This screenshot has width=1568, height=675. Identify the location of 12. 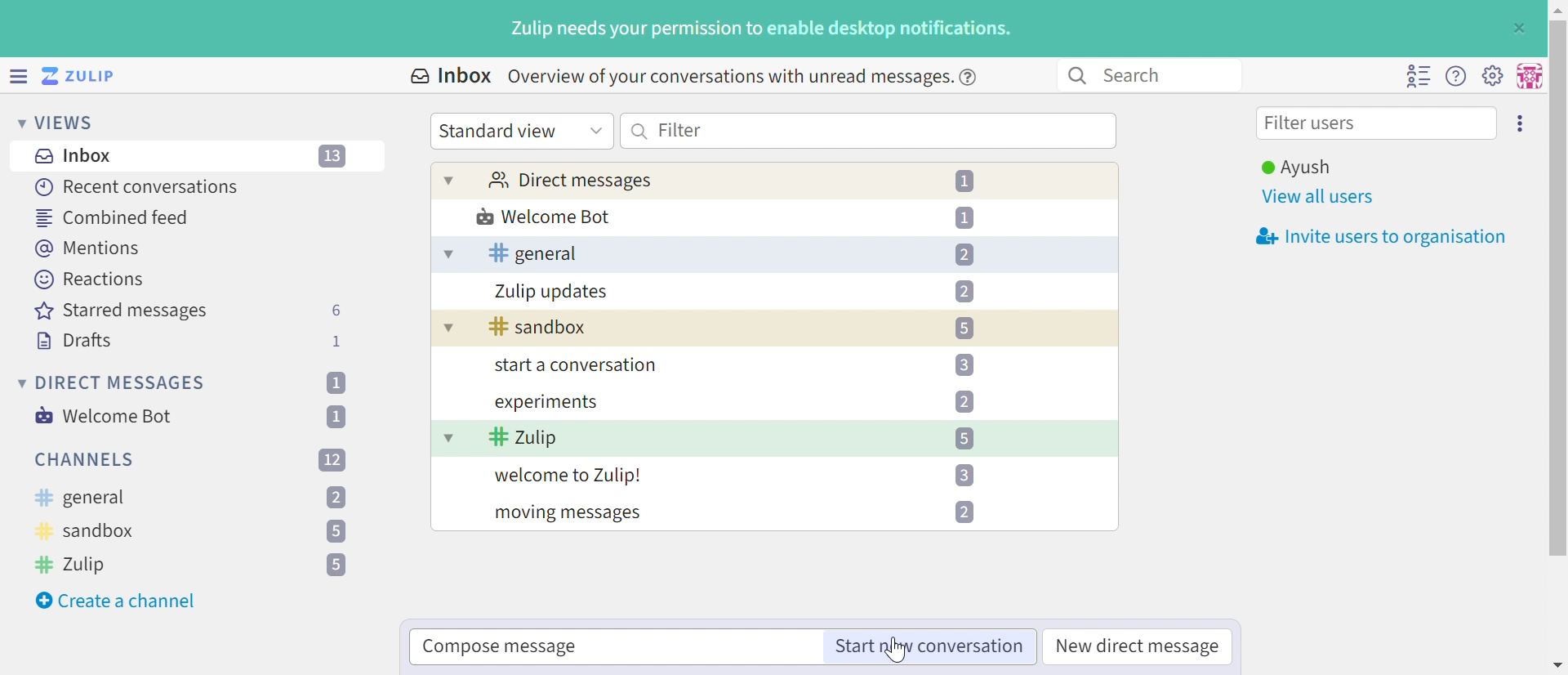
(332, 458).